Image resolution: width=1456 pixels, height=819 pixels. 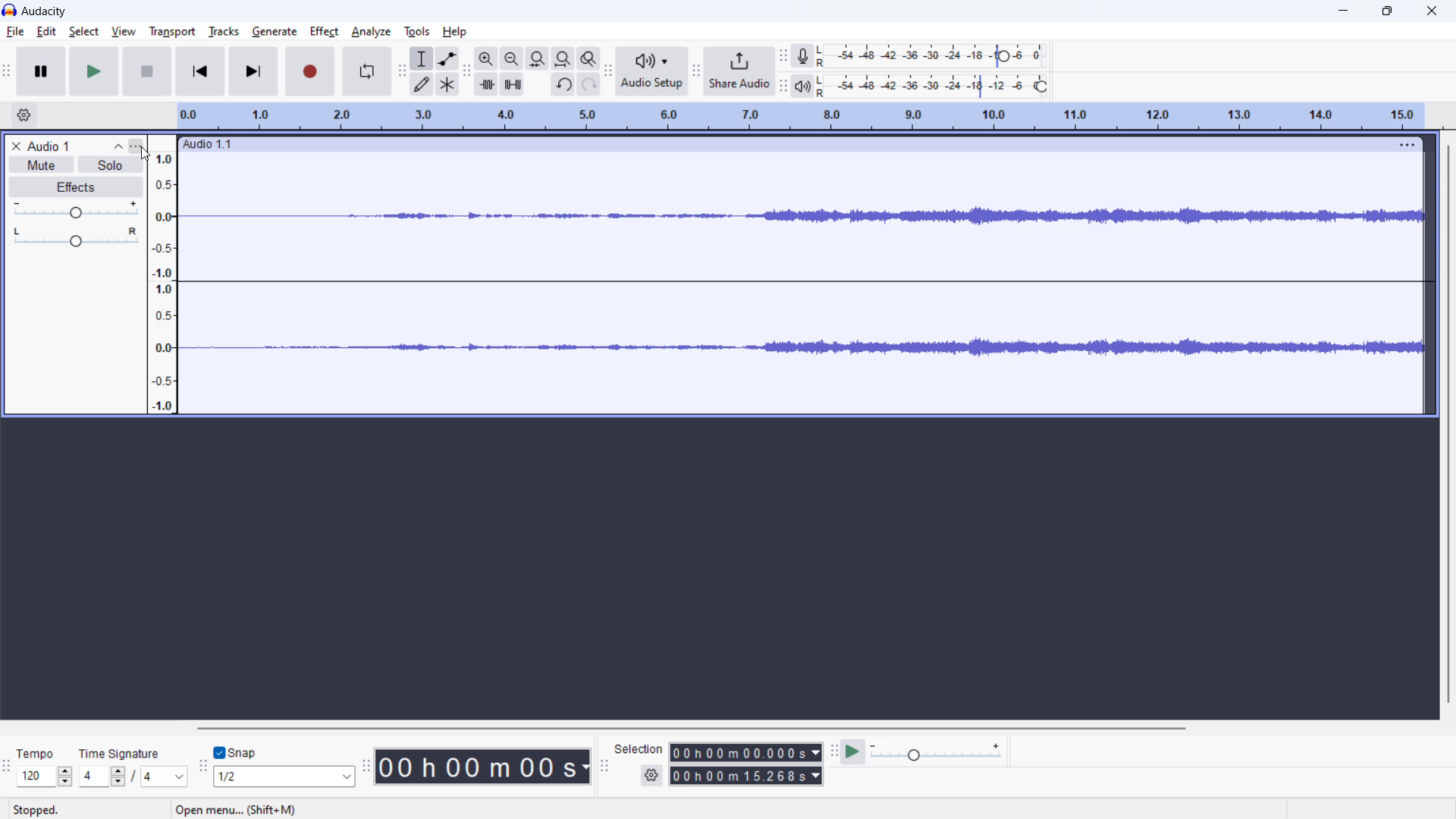 I want to click on title, so click(x=45, y=11).